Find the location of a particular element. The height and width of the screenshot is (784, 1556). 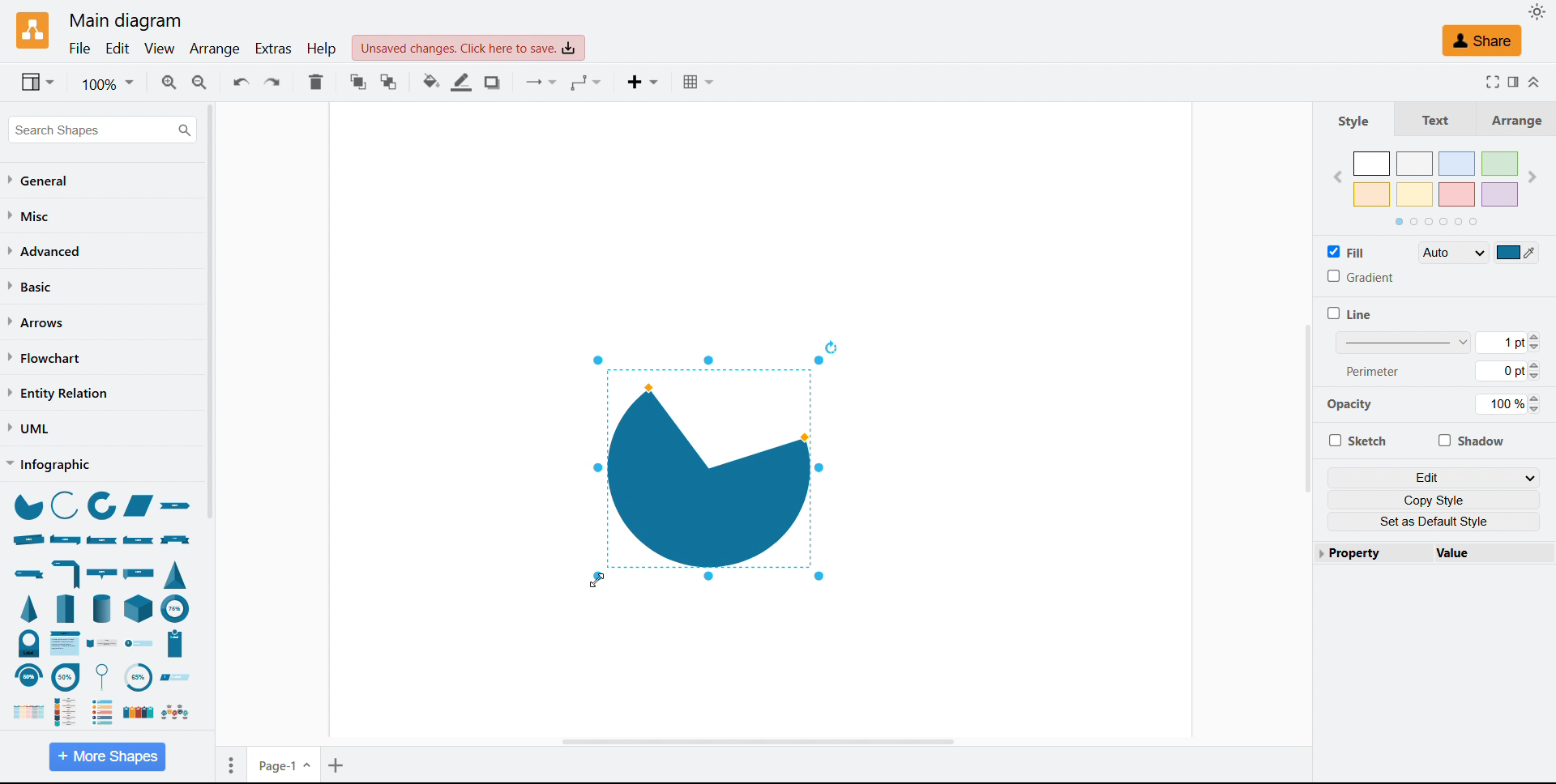

Gradient  is located at coordinates (1360, 276).